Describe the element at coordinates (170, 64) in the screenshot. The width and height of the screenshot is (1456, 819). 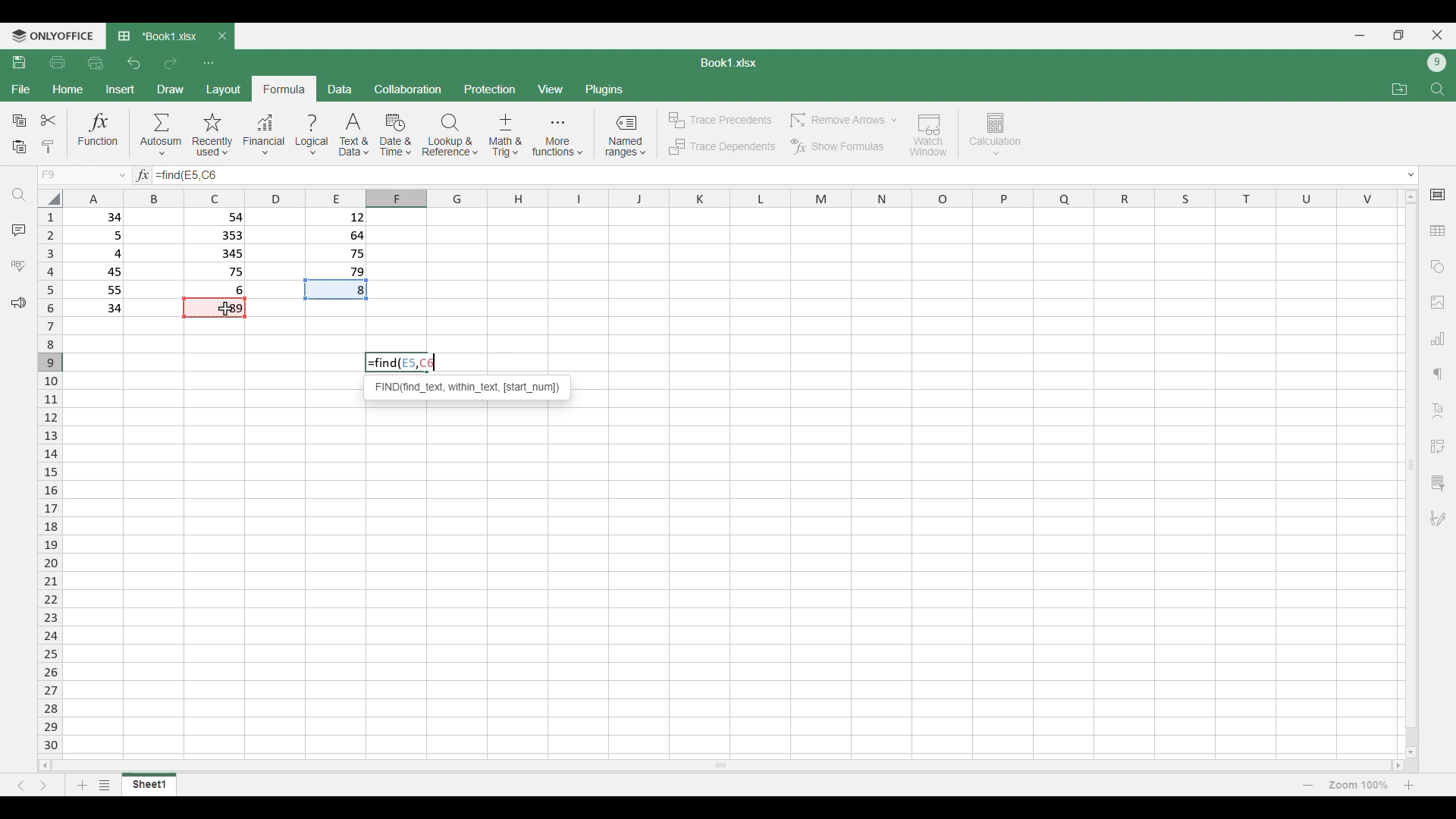
I see `Redo` at that location.